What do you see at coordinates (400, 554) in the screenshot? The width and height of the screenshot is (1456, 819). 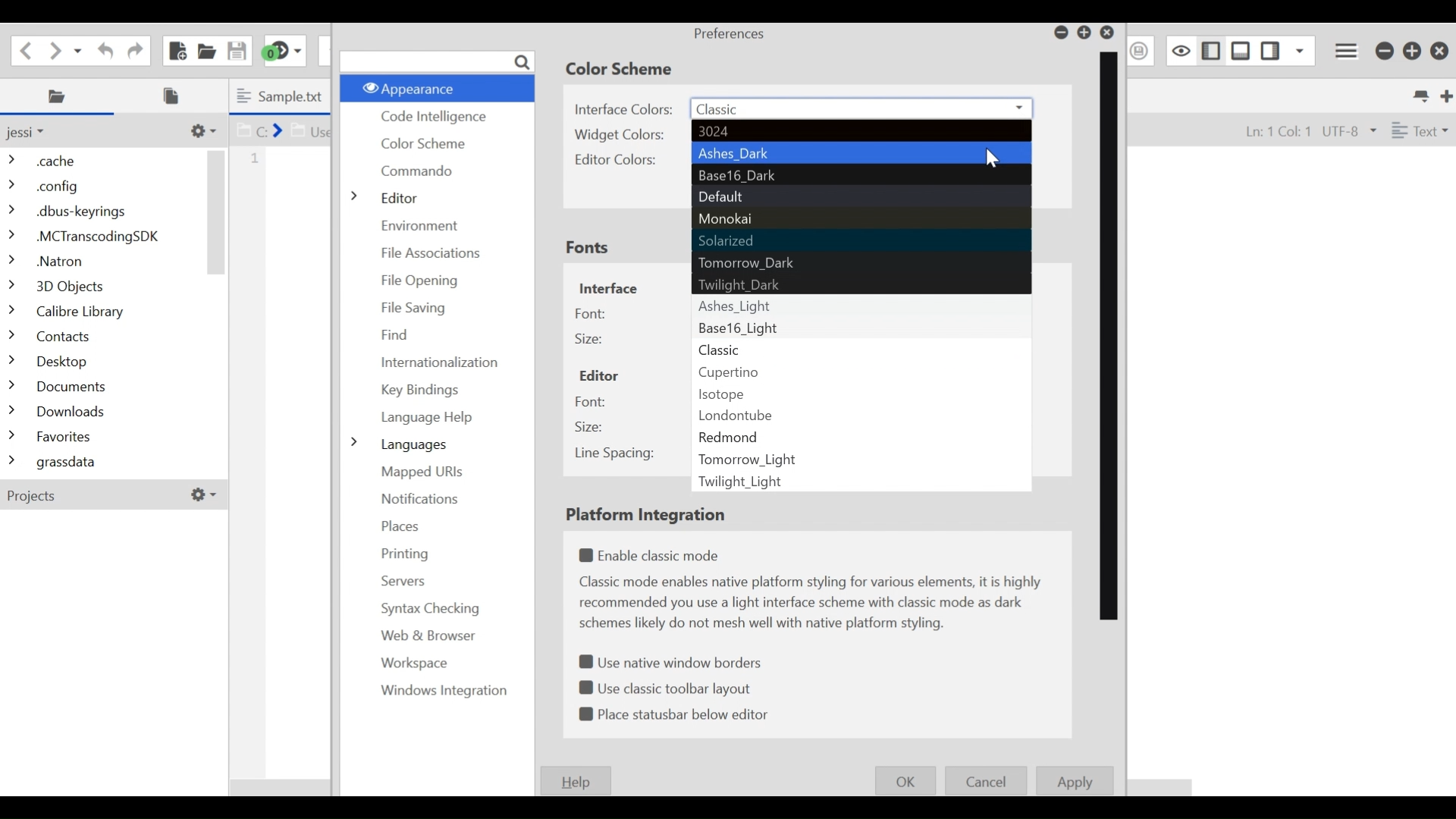 I see `Printing` at bounding box center [400, 554].